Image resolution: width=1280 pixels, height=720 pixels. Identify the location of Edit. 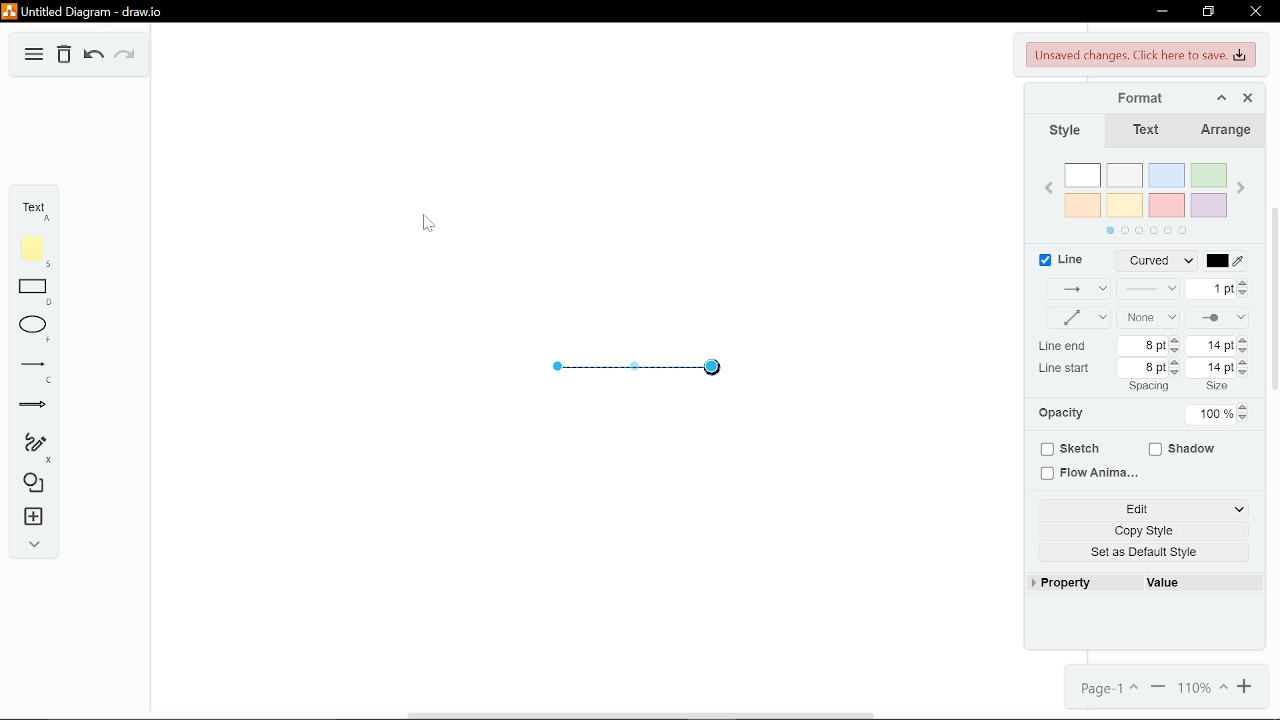
(1142, 509).